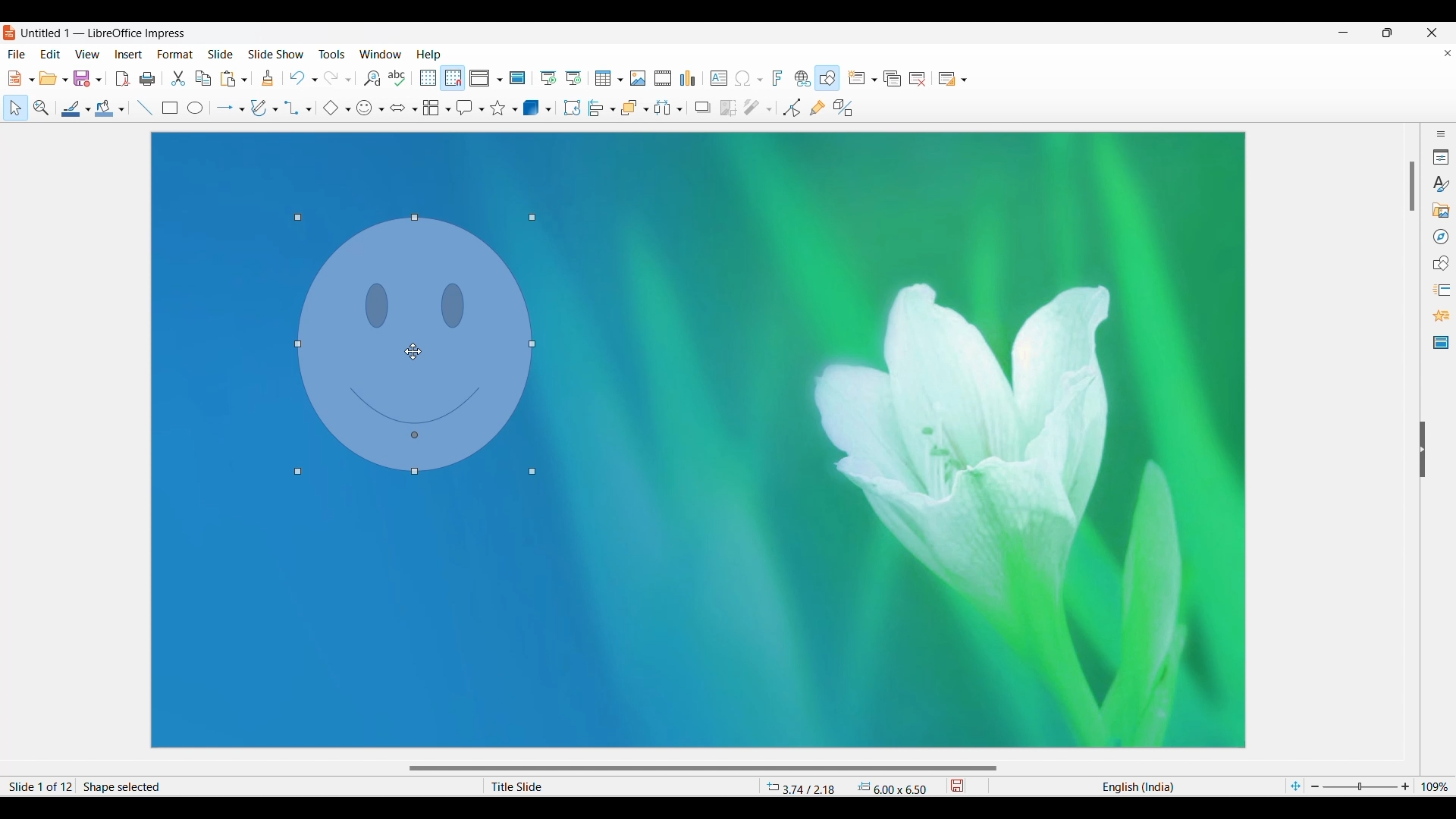  Describe the element at coordinates (364, 108) in the screenshot. I see `Selected symbol` at that location.